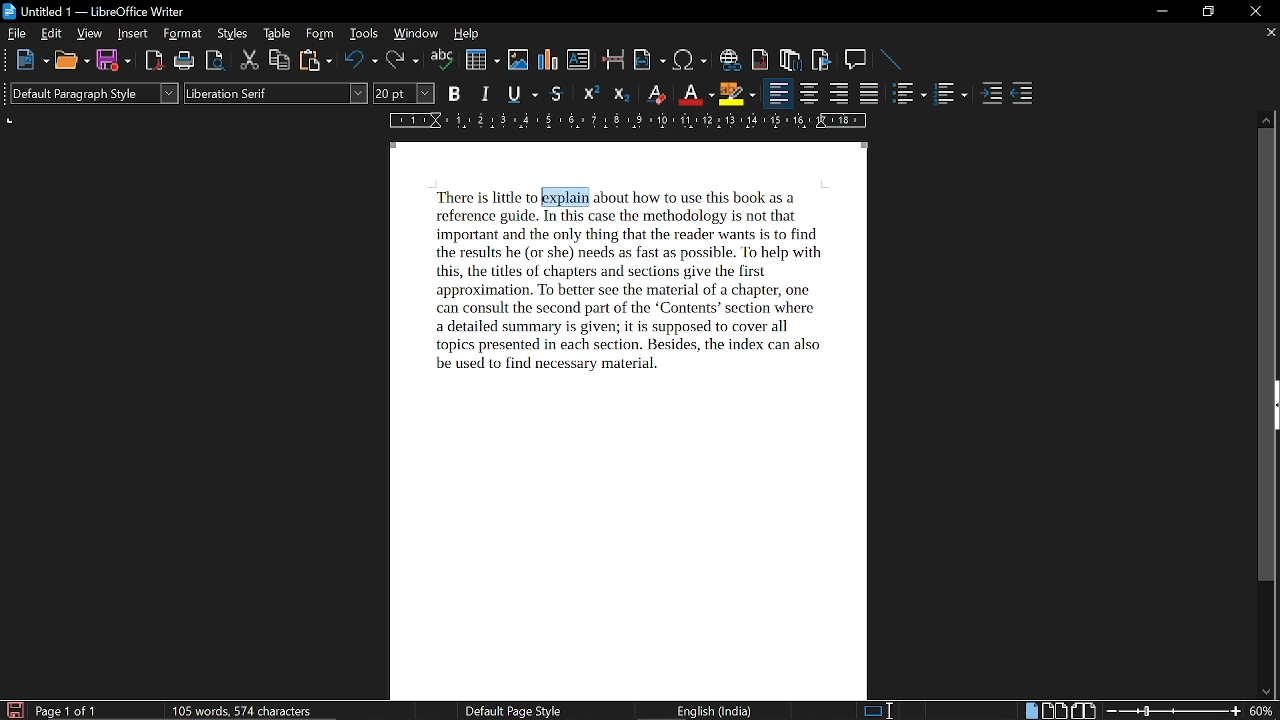 This screenshot has height=720, width=1280. Describe the element at coordinates (621, 95) in the screenshot. I see `subscript` at that location.